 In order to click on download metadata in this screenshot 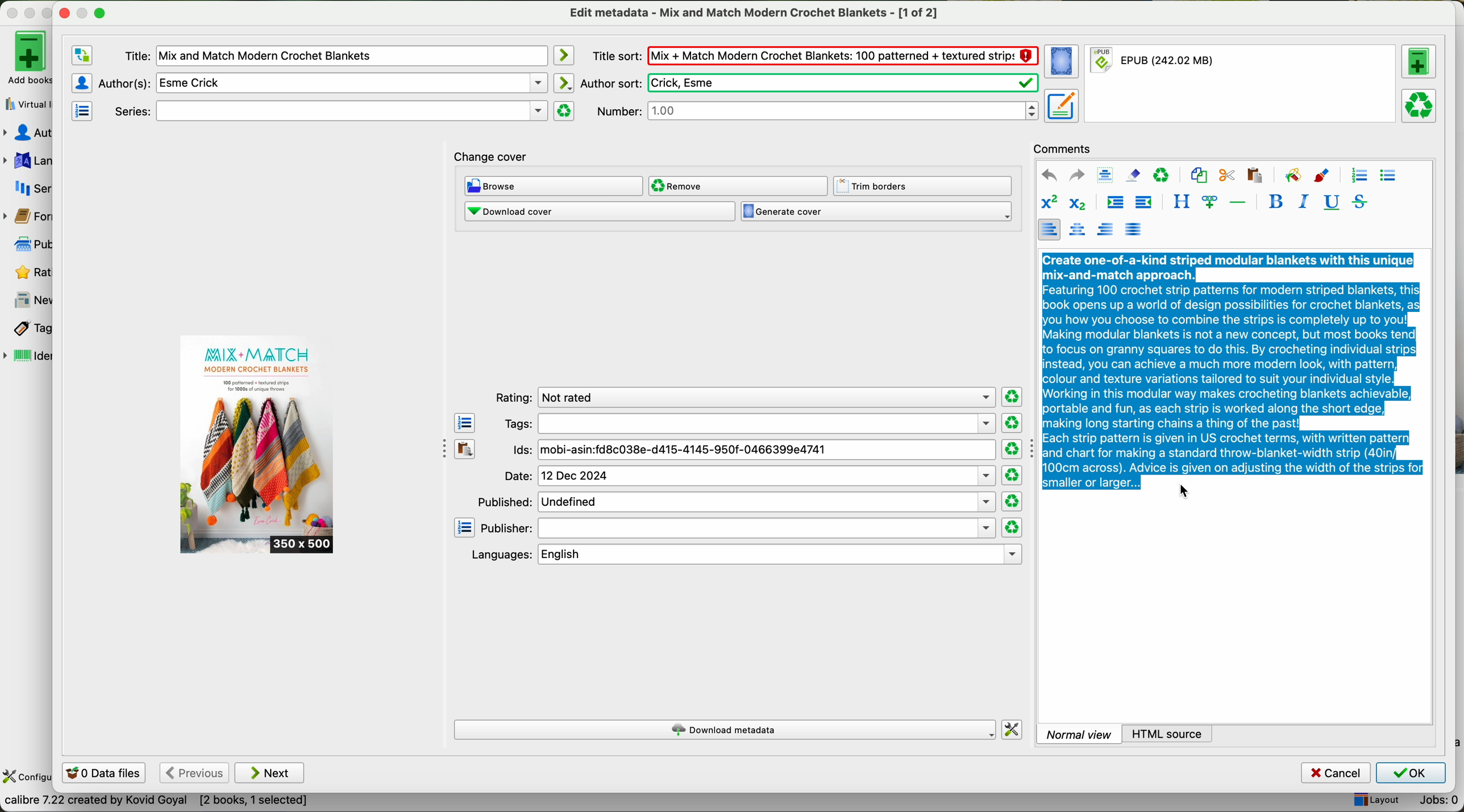, I will do `click(726, 731)`.